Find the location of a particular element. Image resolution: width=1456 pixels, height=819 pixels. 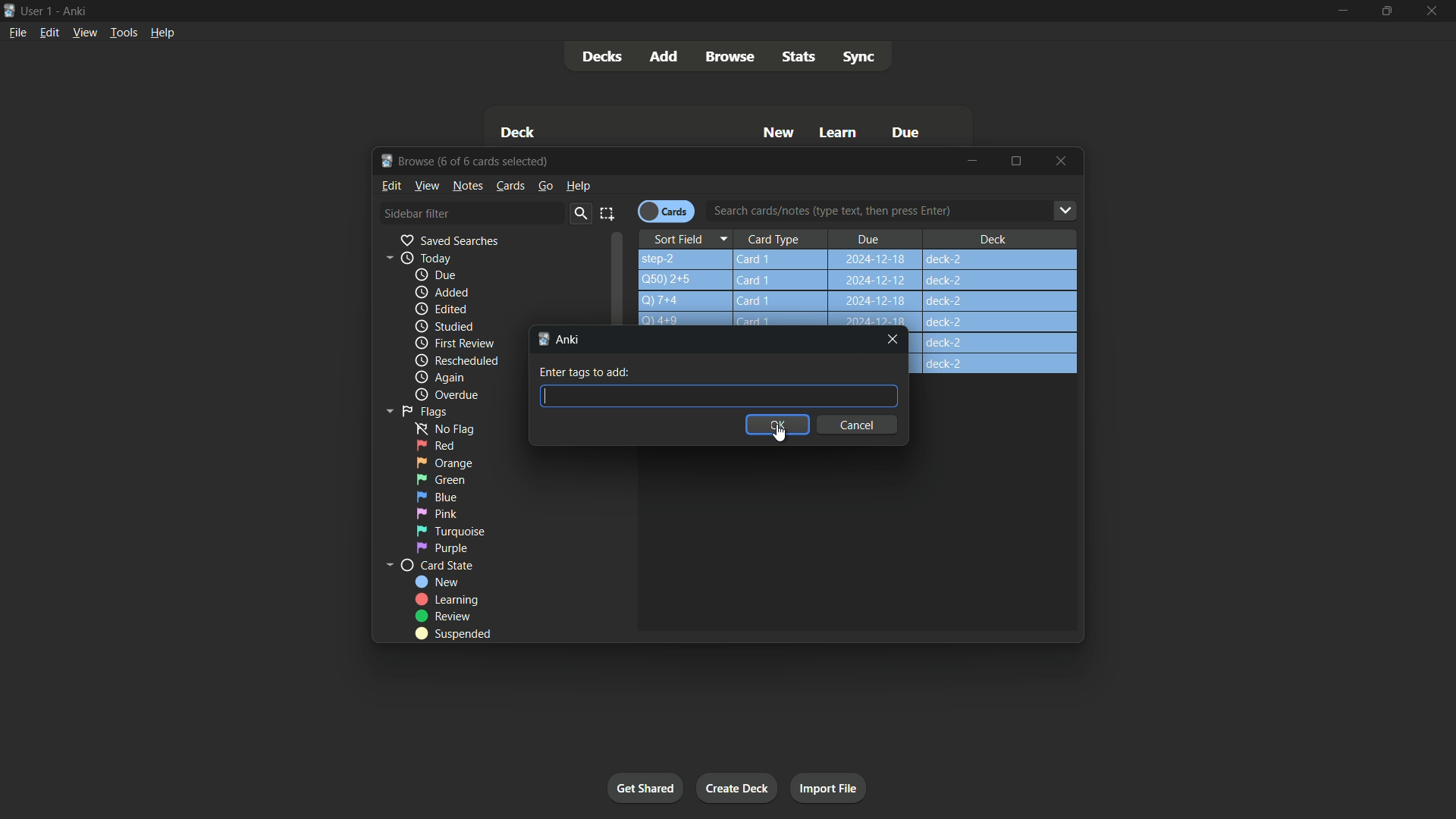

Search cards/notes (type text, then press Enter) is located at coordinates (898, 212).